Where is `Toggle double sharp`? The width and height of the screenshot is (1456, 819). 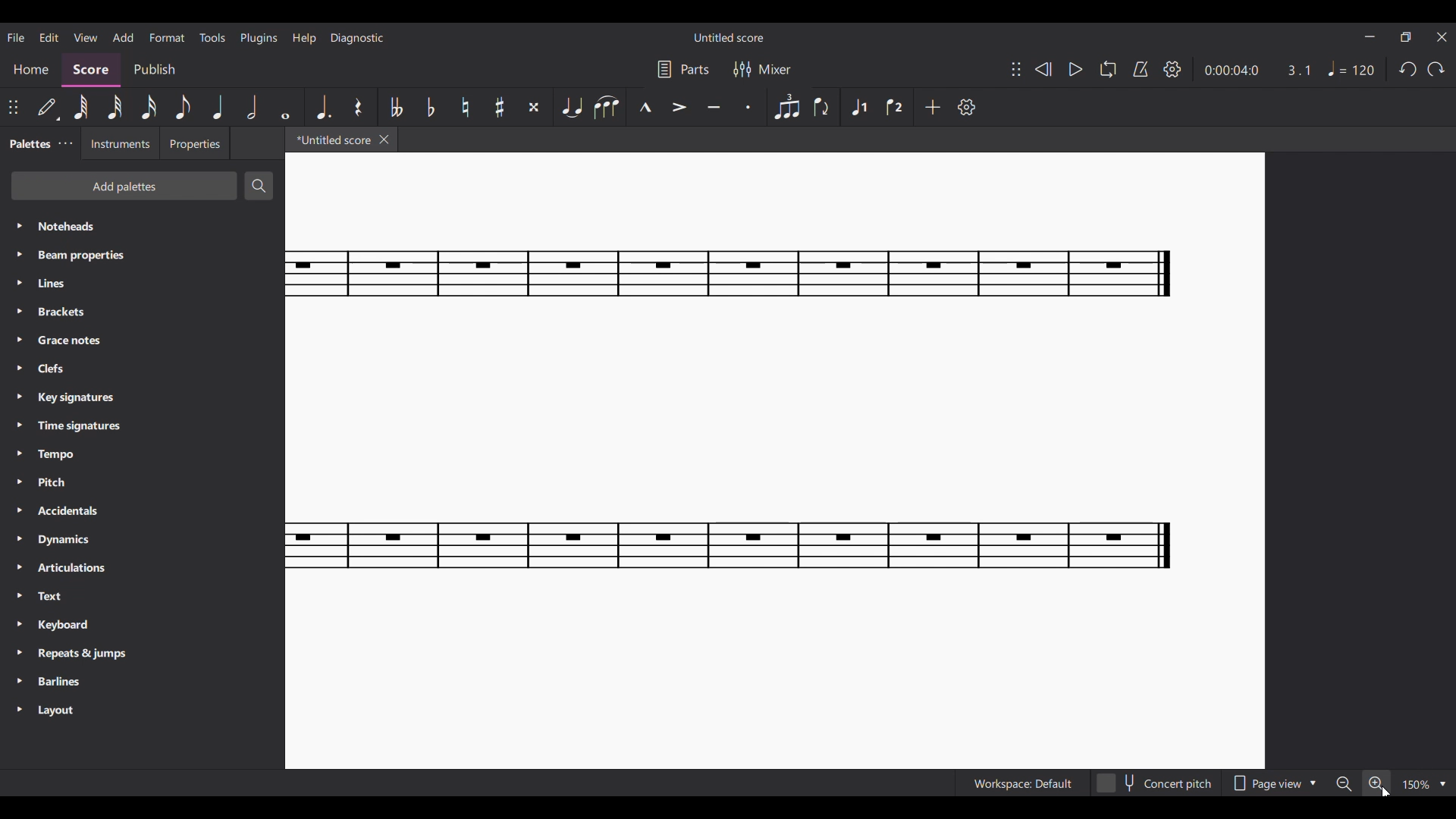
Toggle double sharp is located at coordinates (535, 107).